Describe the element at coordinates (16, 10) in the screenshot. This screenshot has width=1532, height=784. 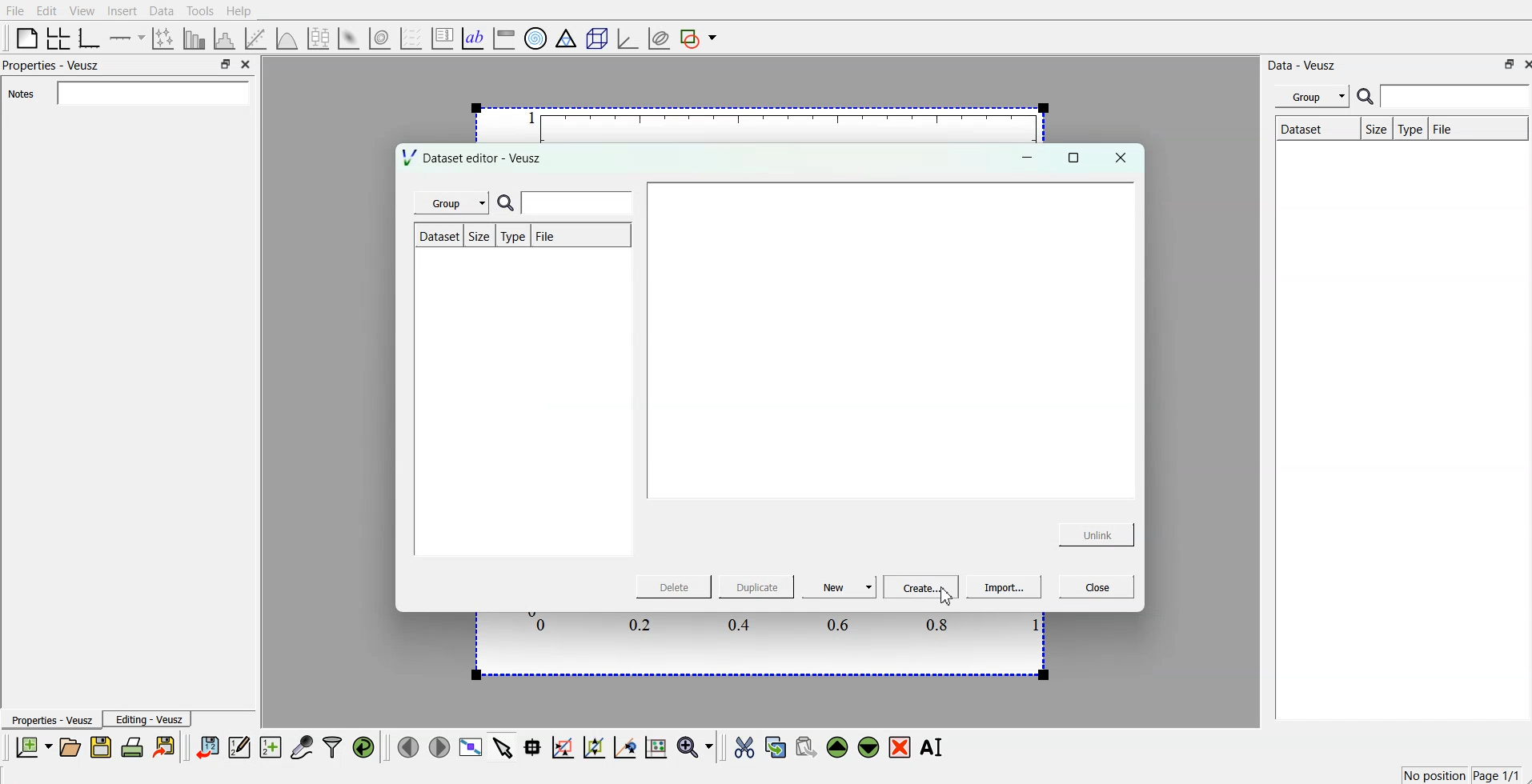
I see `File` at that location.